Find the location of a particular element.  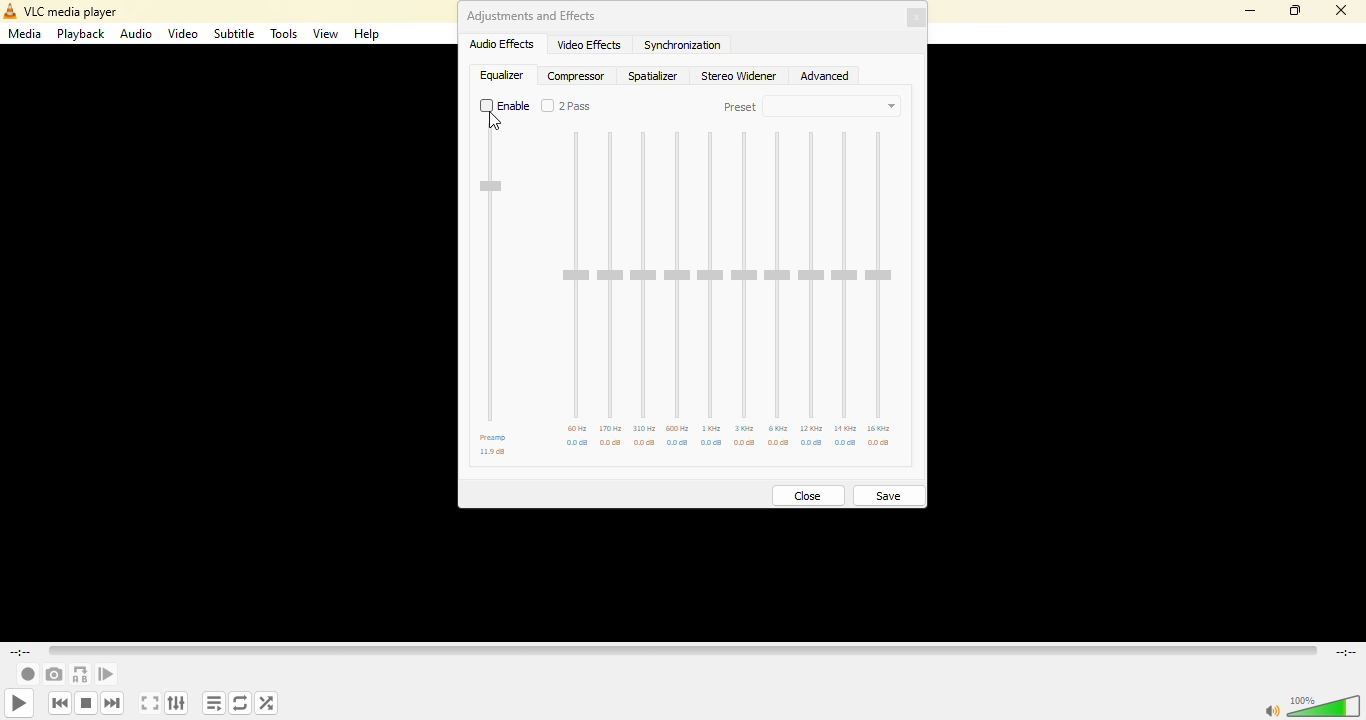

synchronization is located at coordinates (685, 46).